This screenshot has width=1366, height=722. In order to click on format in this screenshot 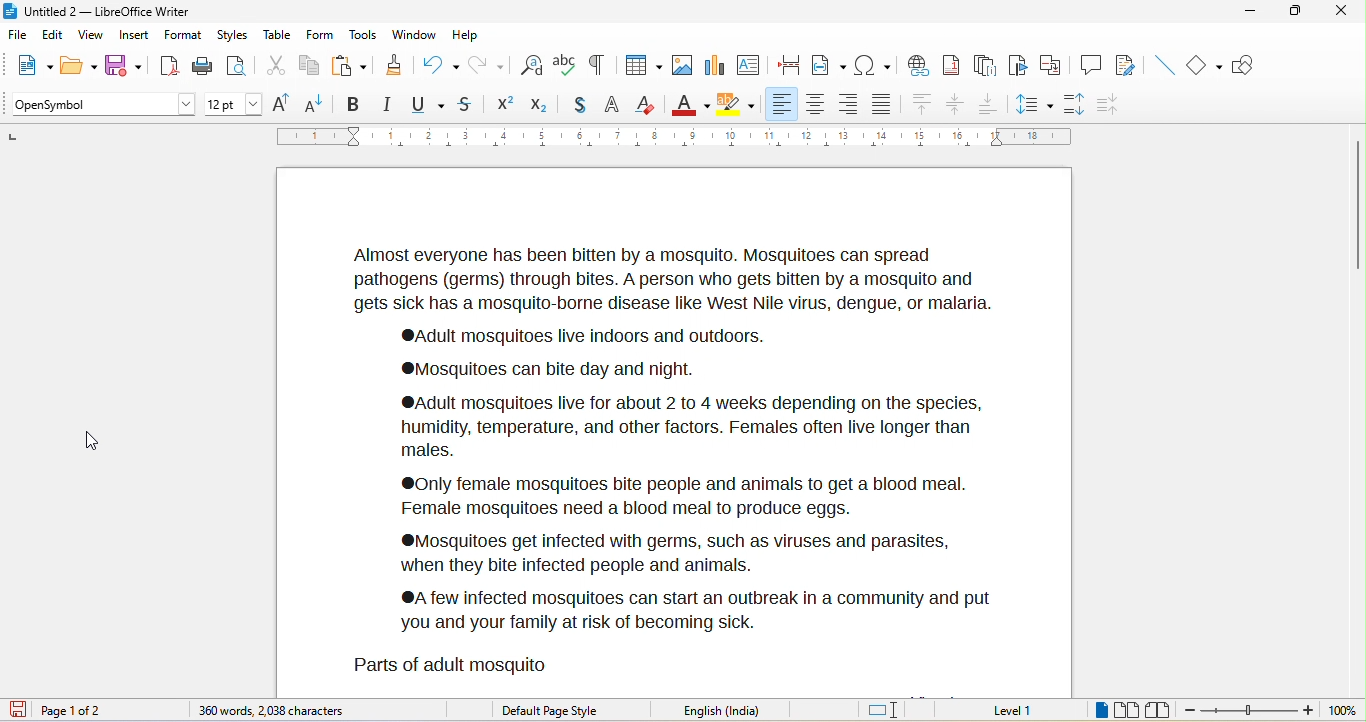, I will do `click(182, 35)`.